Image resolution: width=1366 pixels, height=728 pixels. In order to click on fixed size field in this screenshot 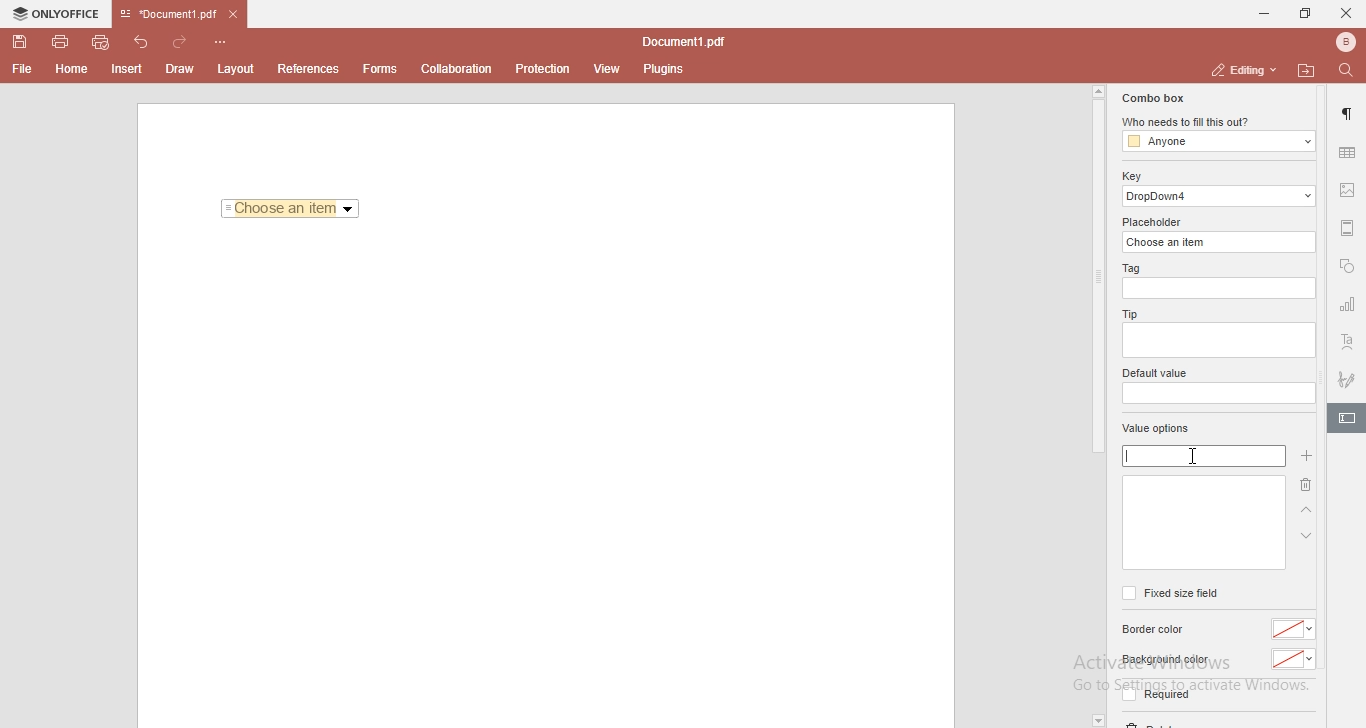, I will do `click(1169, 593)`.